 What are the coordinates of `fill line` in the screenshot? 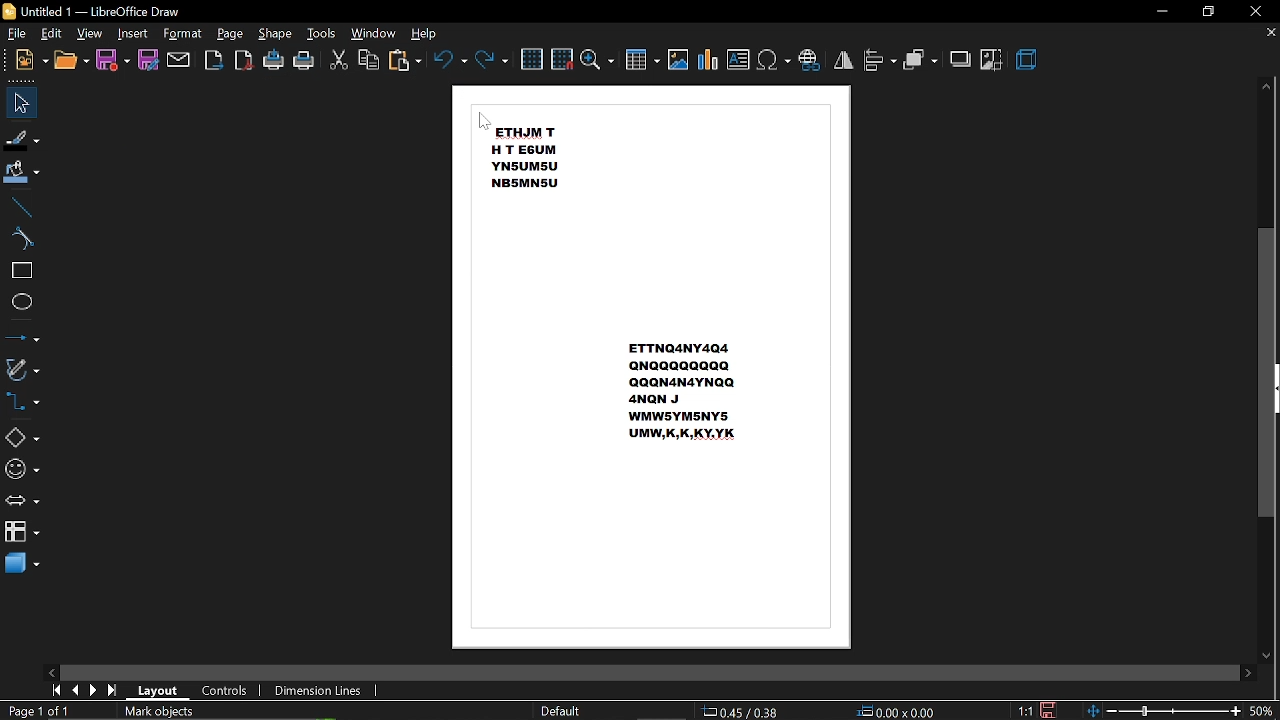 It's located at (23, 138).